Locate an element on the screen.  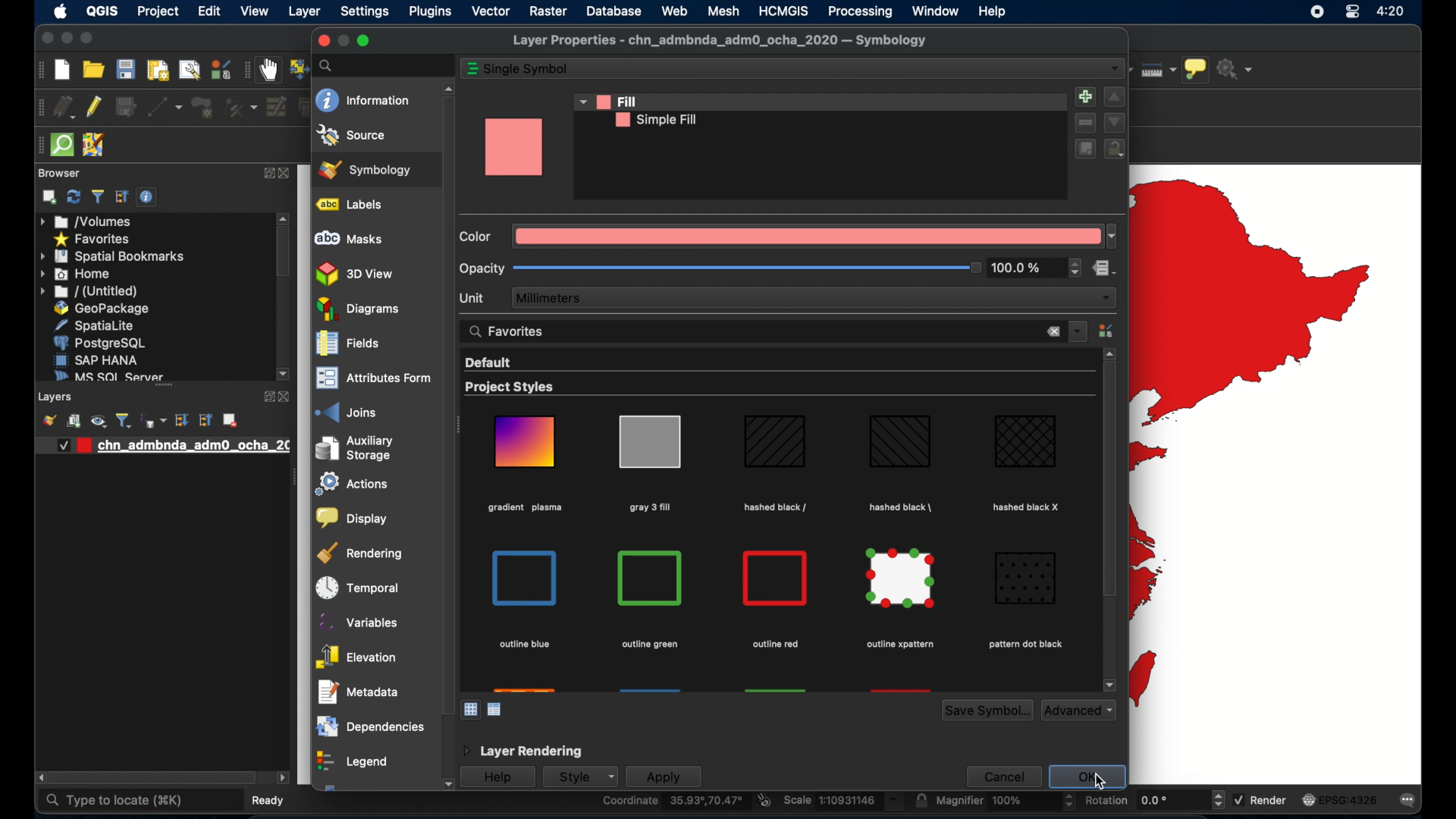
attribute form is located at coordinates (370, 379).